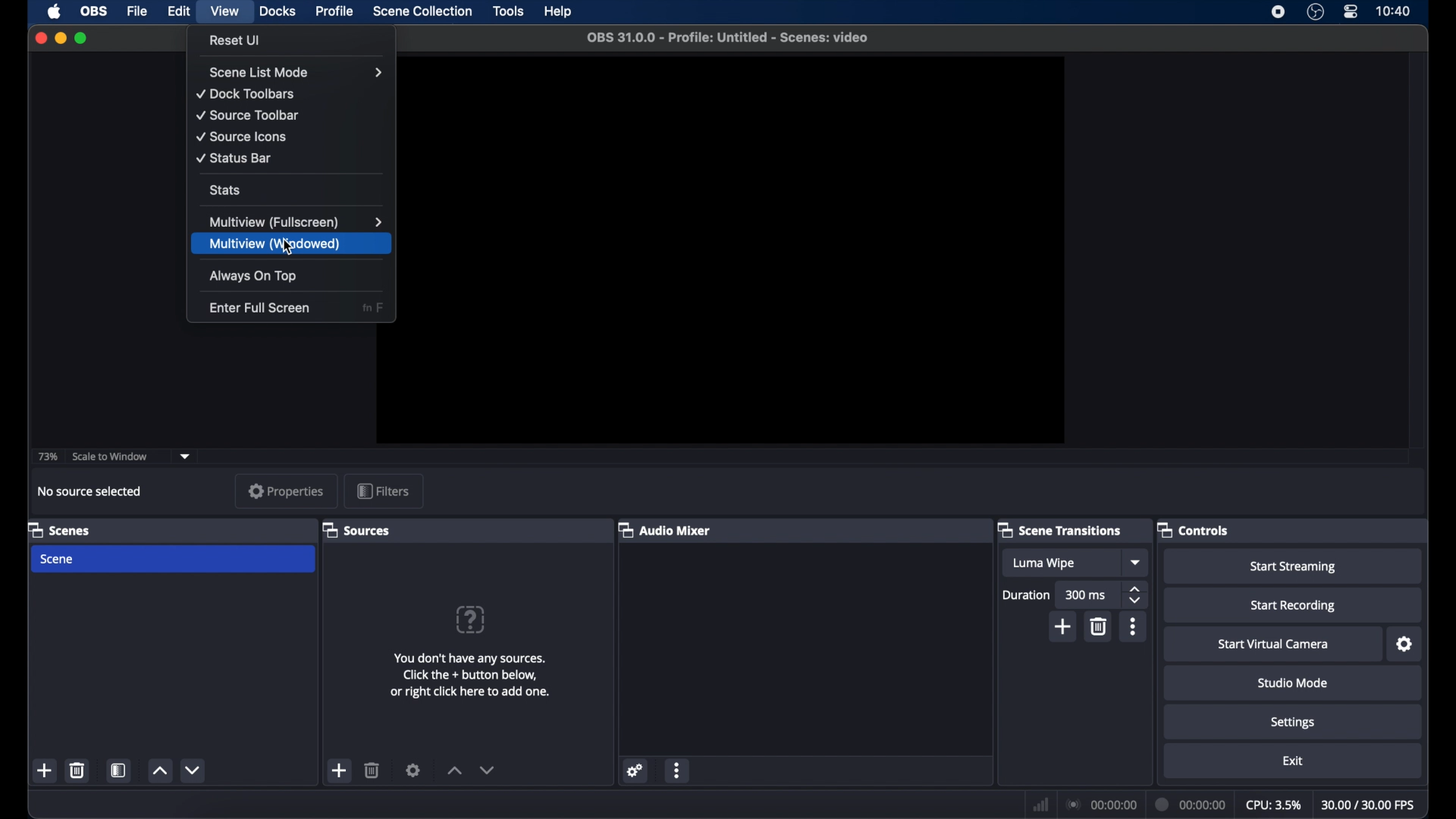  Describe the element at coordinates (1040, 804) in the screenshot. I see `network` at that location.